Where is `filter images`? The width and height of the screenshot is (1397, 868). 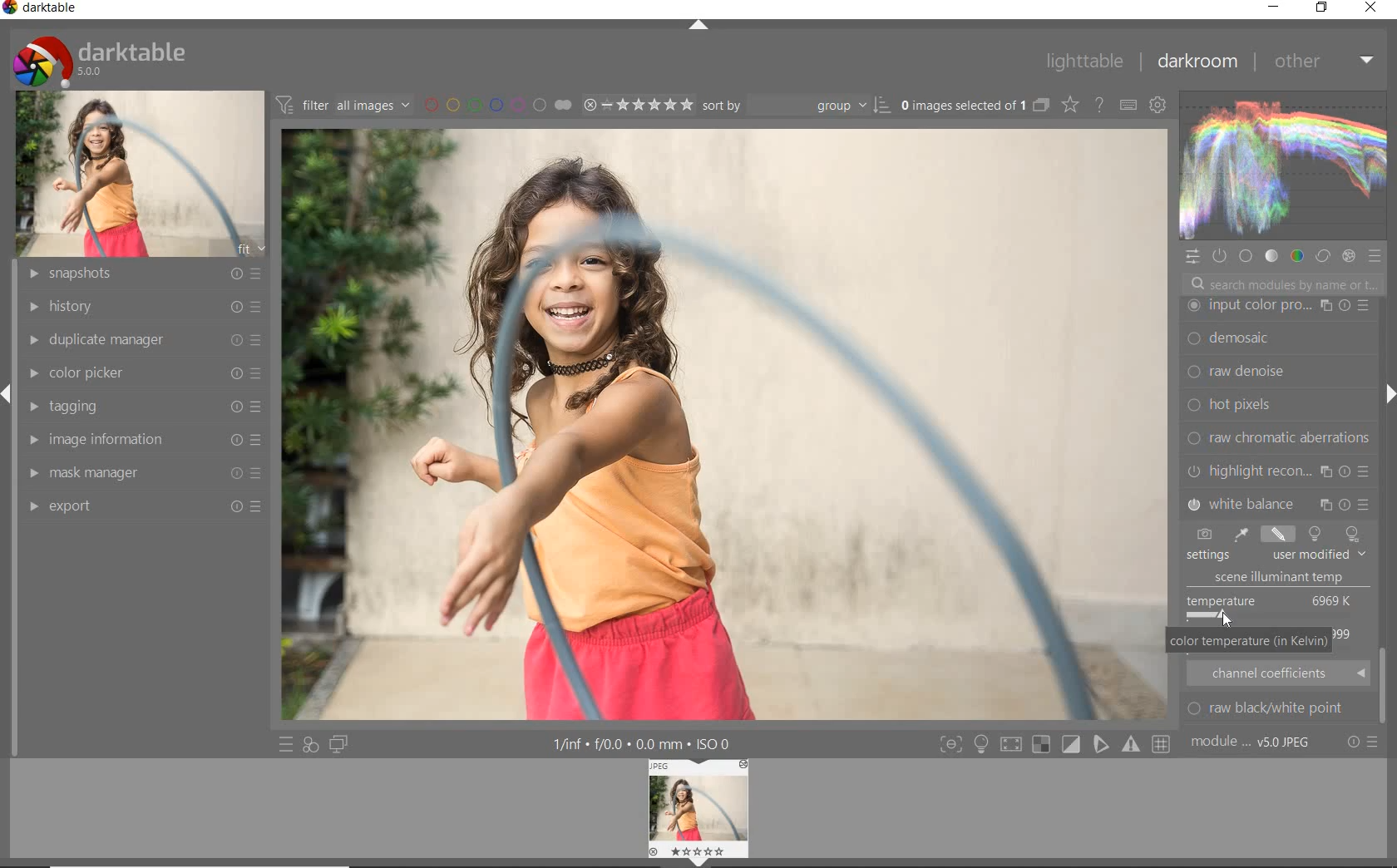 filter images is located at coordinates (343, 106).